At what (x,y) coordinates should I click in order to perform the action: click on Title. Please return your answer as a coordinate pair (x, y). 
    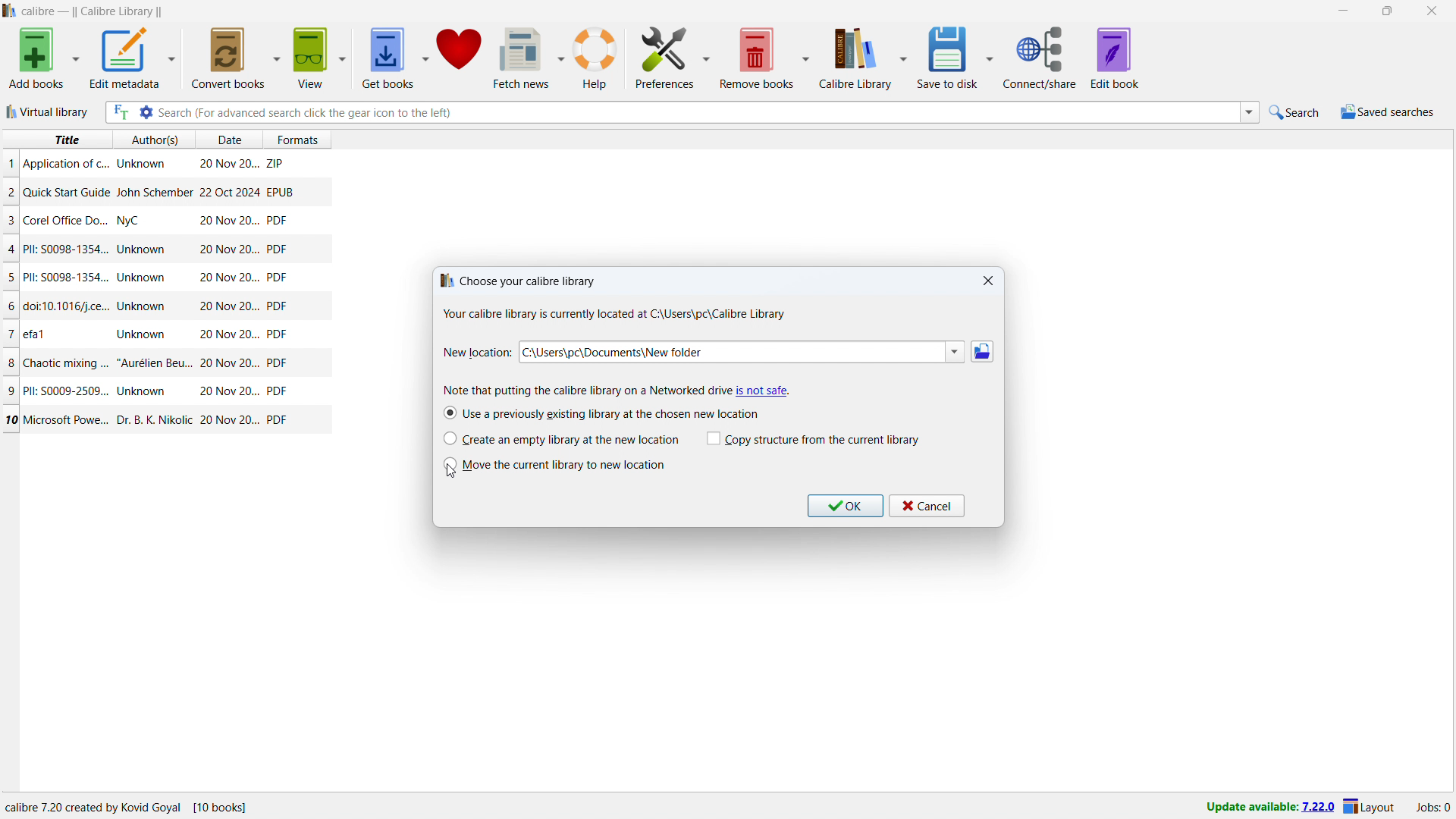
    Looking at the image, I should click on (68, 307).